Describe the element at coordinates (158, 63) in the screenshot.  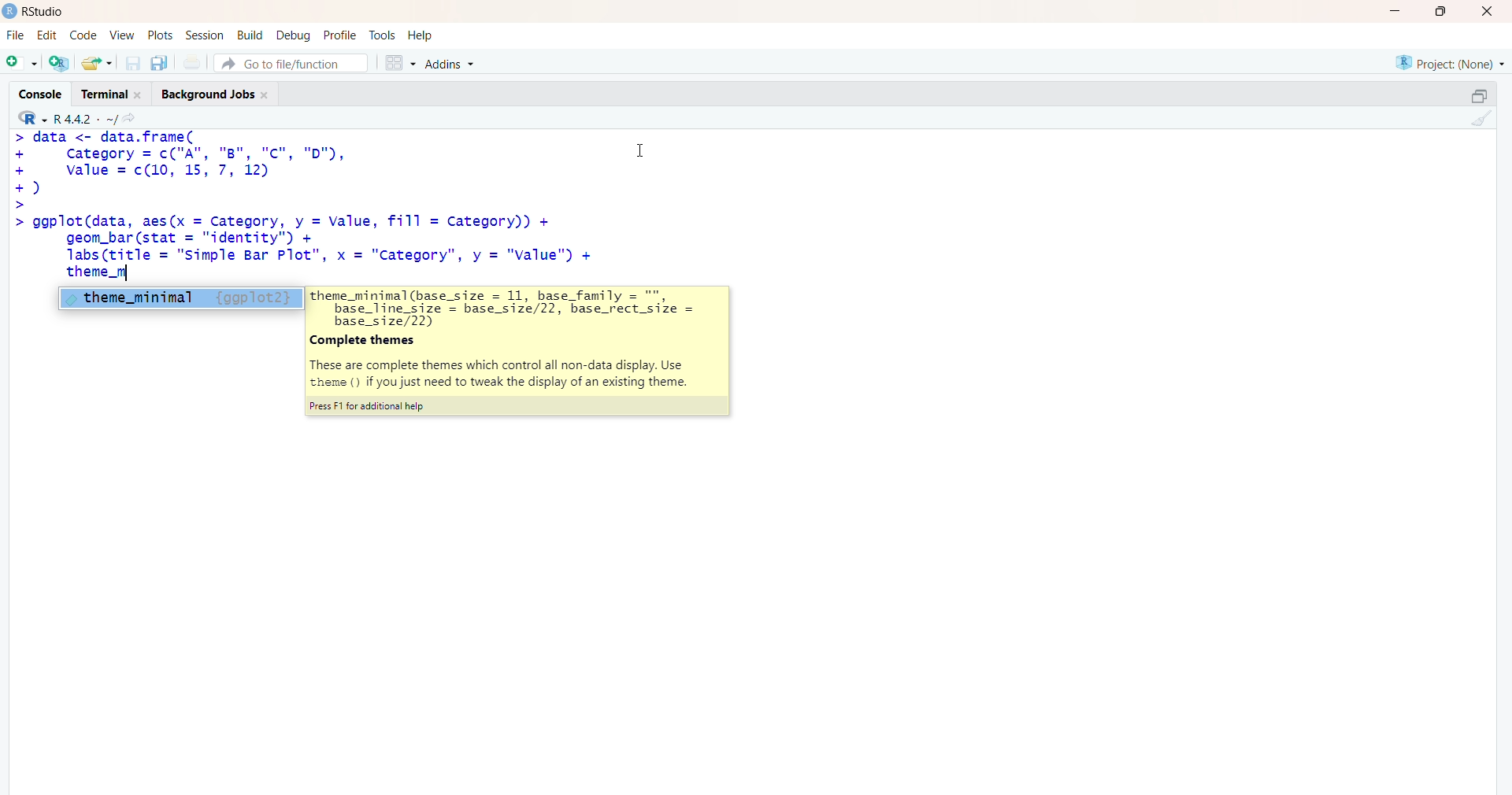
I see `save all open documents` at that location.